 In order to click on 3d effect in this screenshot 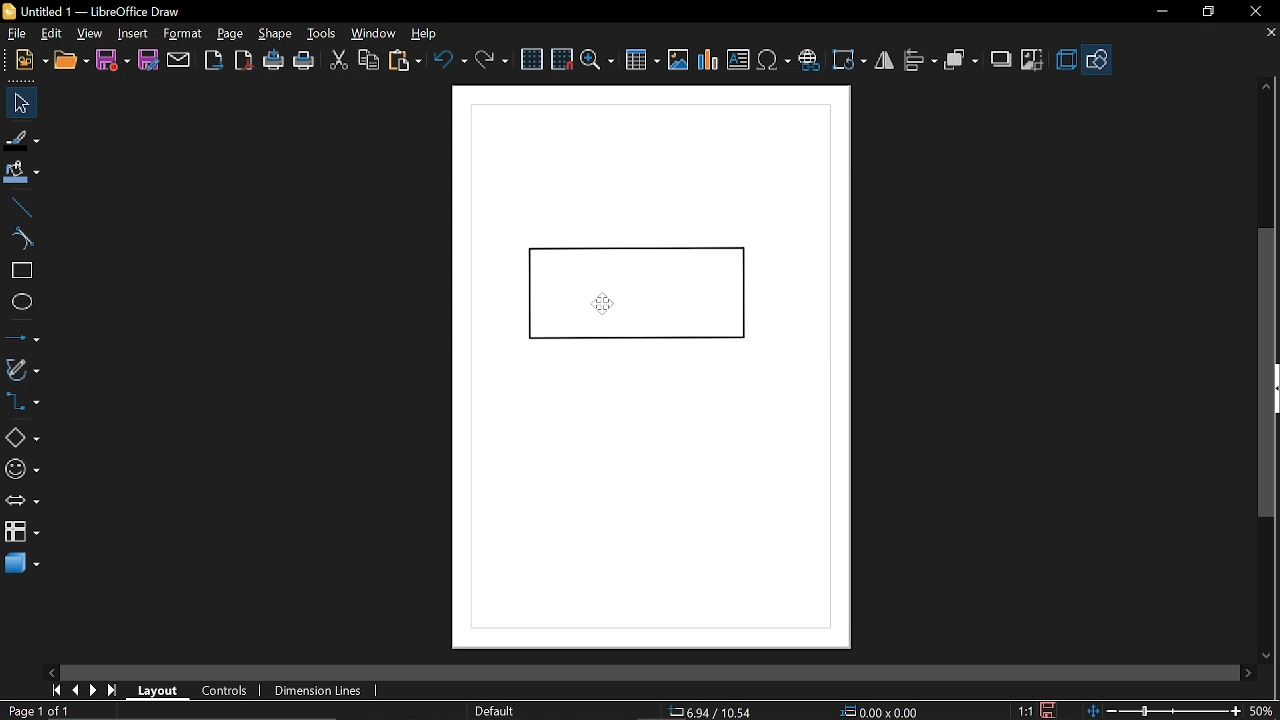, I will do `click(1066, 60)`.